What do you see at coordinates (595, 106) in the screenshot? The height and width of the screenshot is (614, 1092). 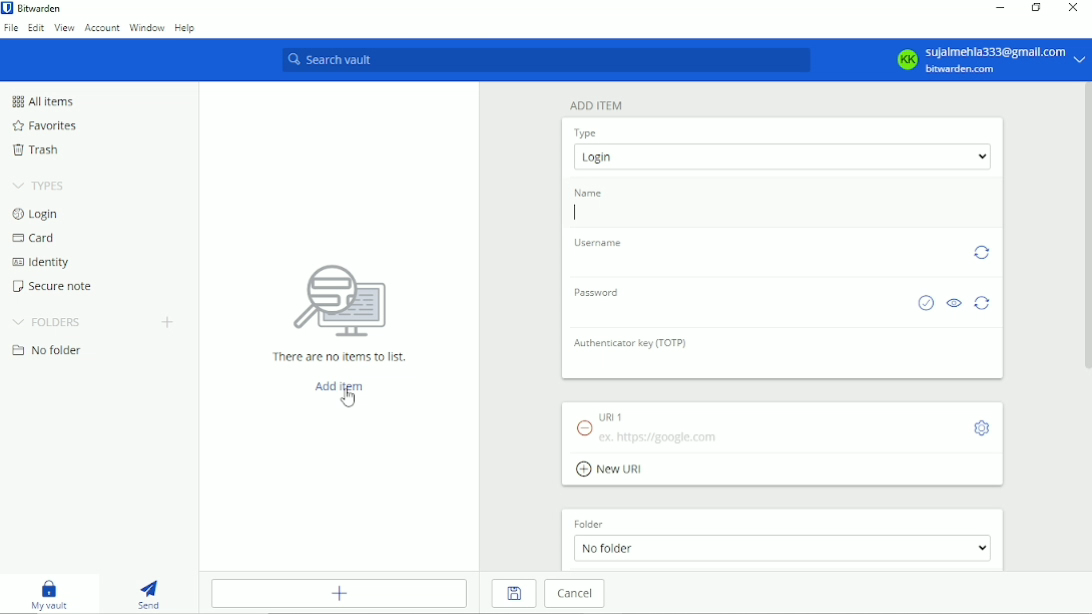 I see `Add item` at bounding box center [595, 106].